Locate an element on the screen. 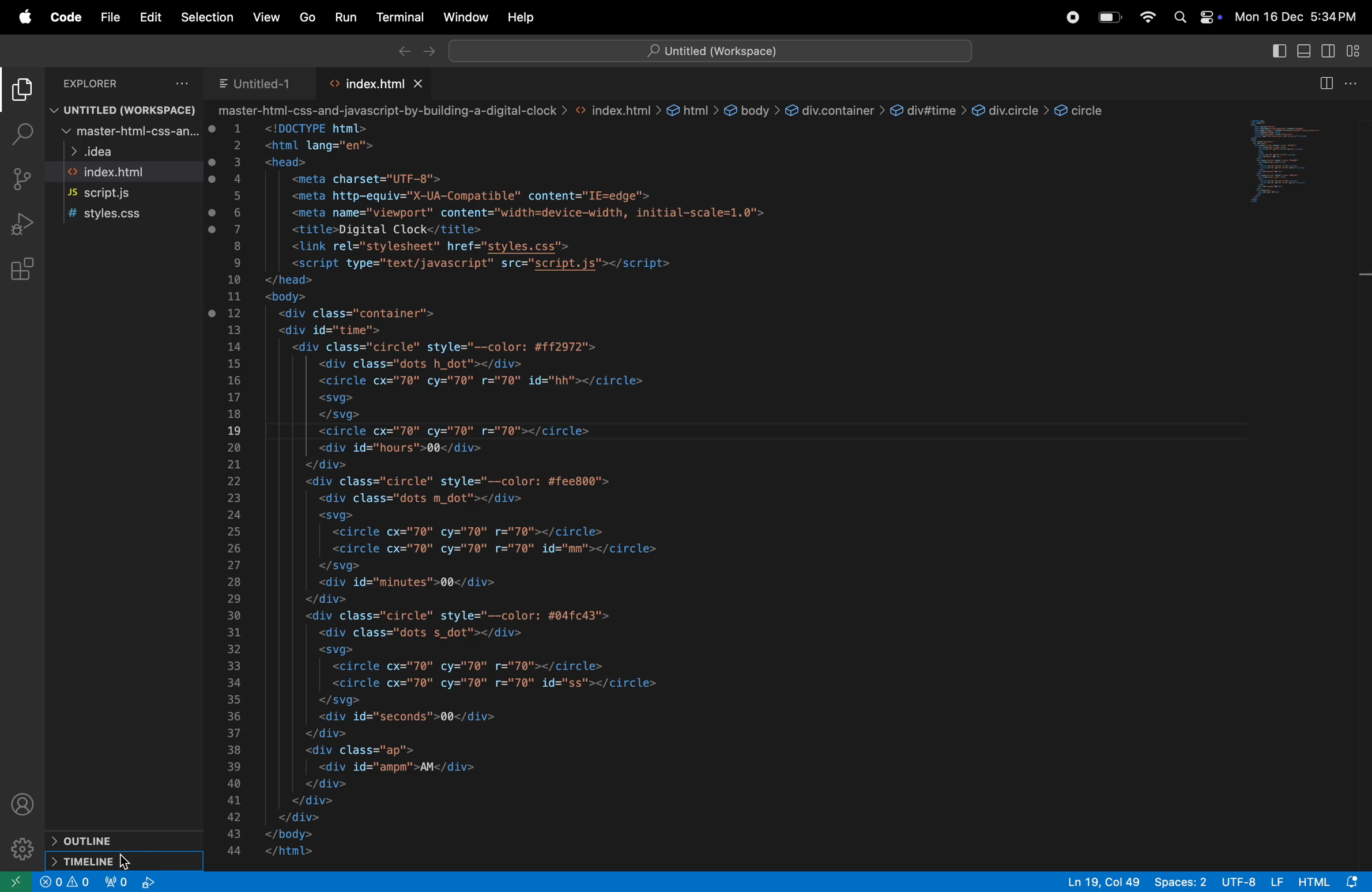 The image size is (1372, 892). run debug is located at coordinates (22, 228).